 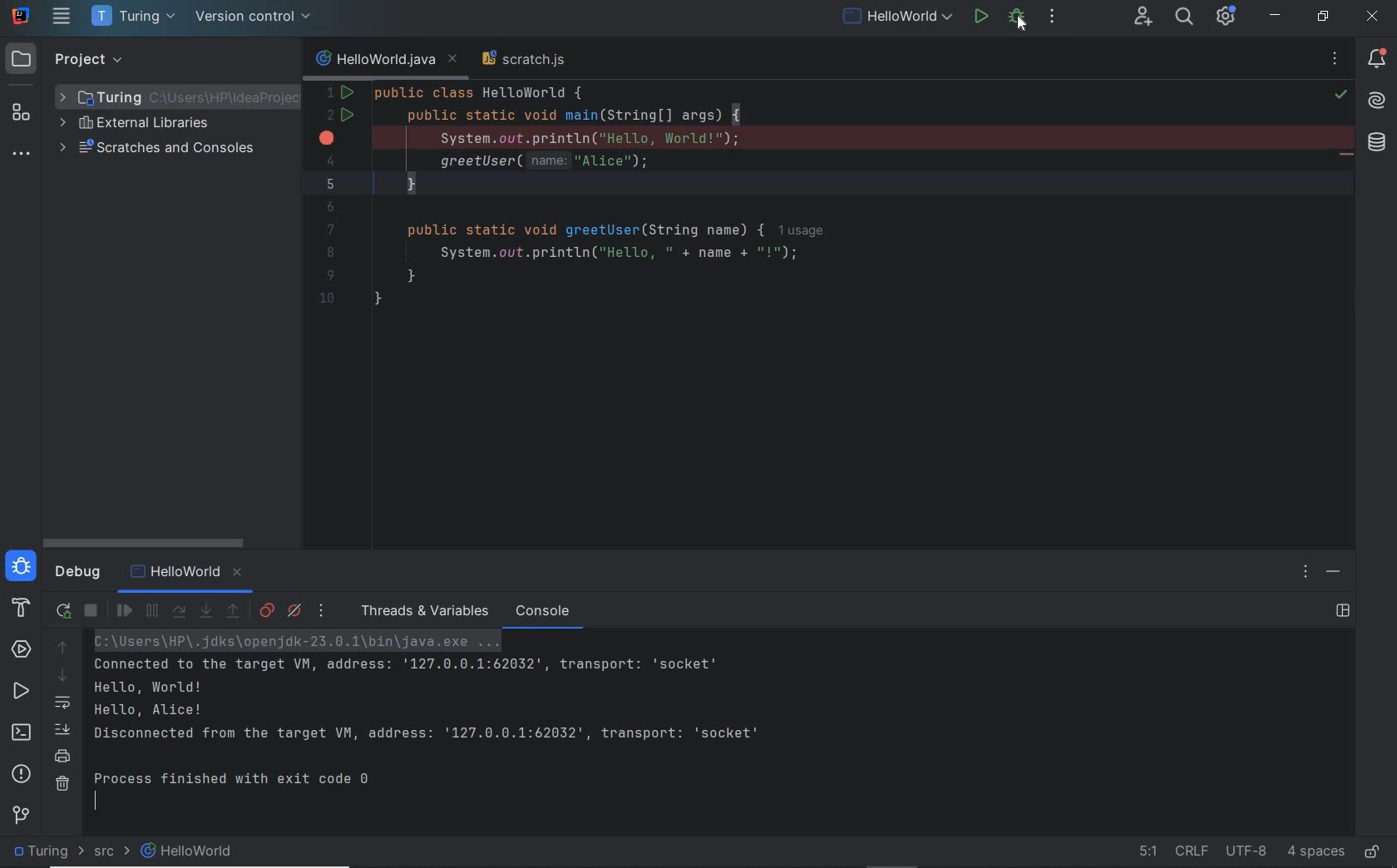 I want to click on project folder, so click(x=42, y=852).